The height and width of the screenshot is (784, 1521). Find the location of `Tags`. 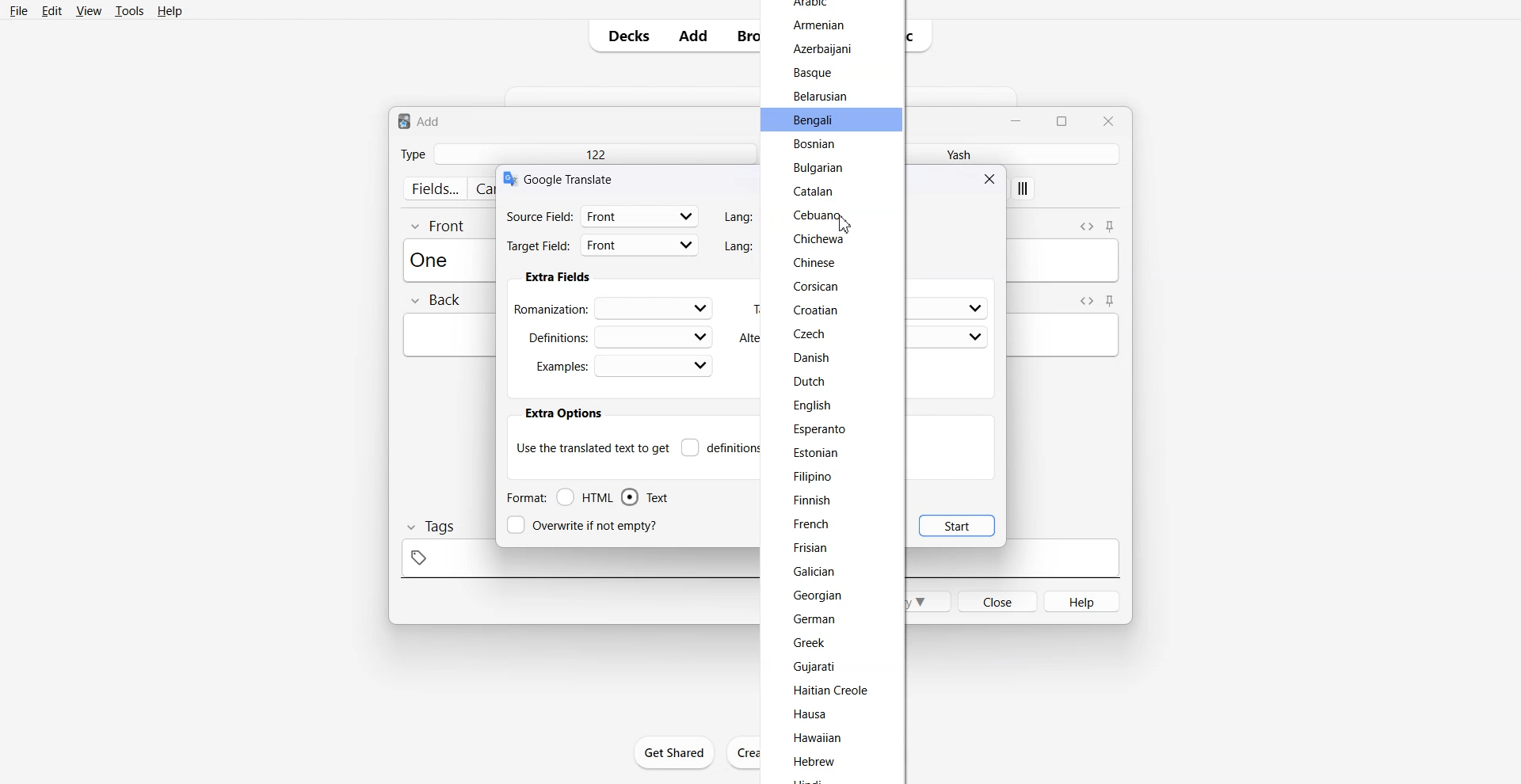

Tags is located at coordinates (429, 527).